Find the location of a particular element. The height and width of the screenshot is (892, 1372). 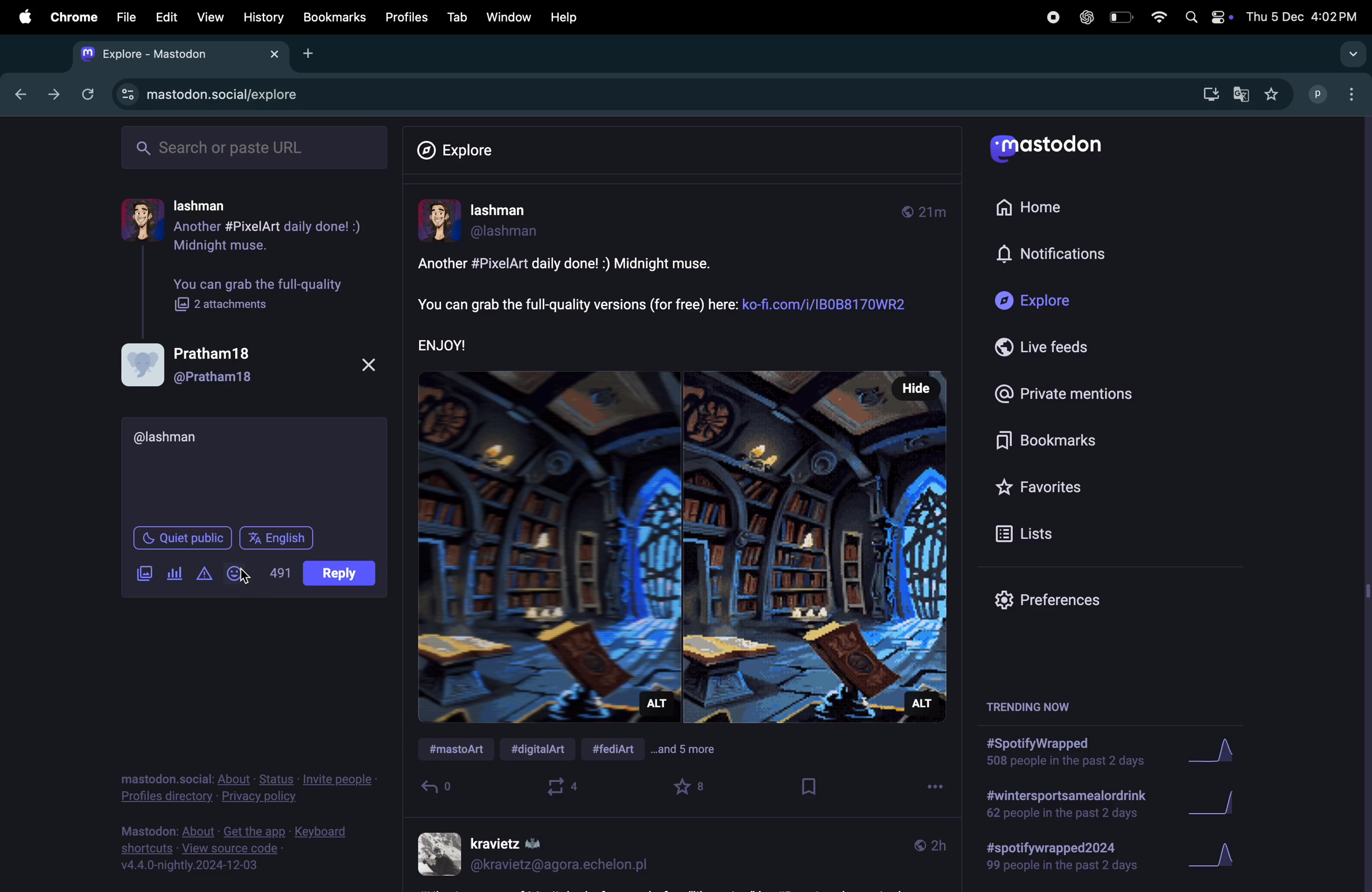

chrome is located at coordinates (75, 18).